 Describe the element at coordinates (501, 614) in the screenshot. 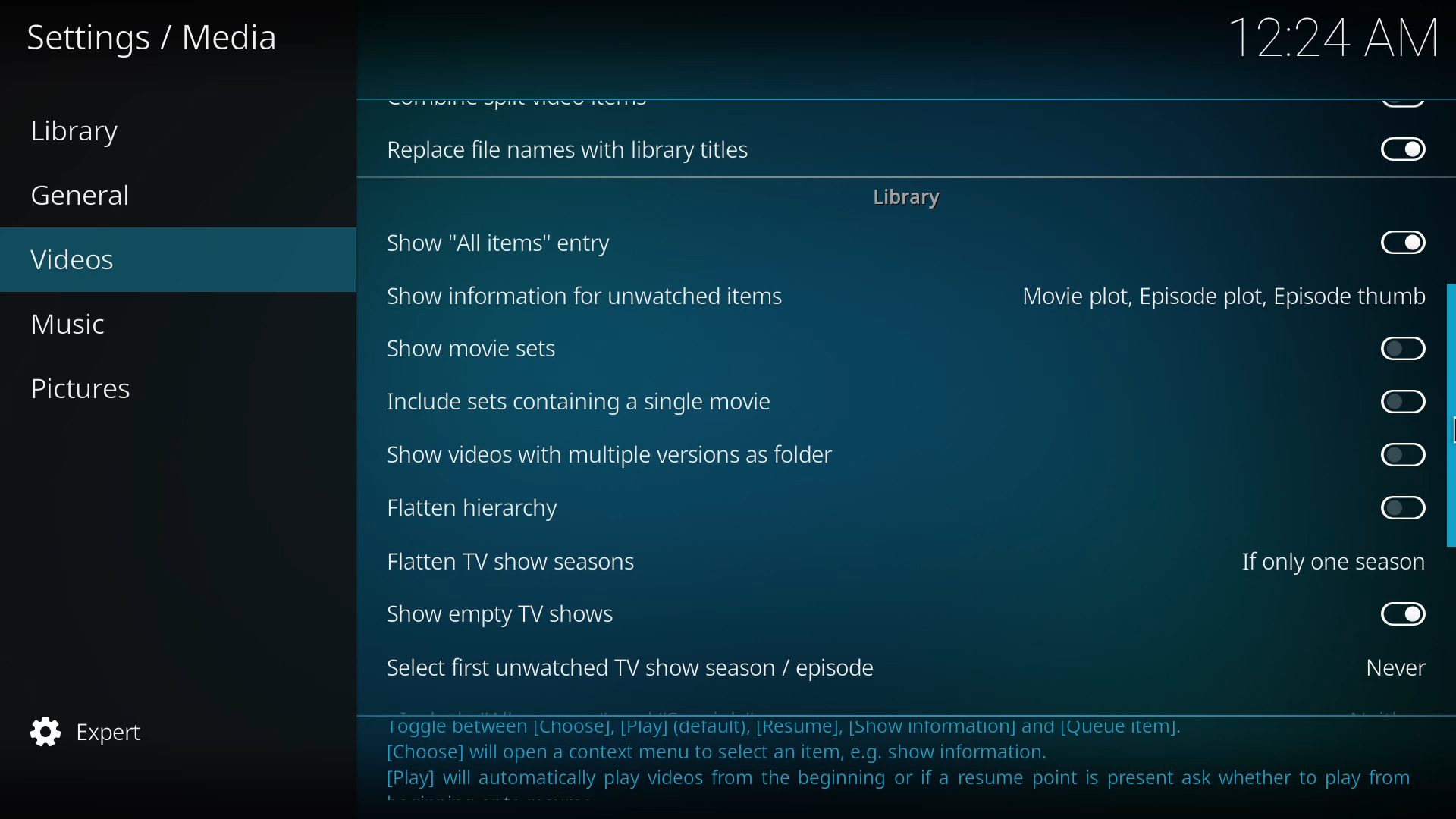

I see `show empty tv shows` at that location.